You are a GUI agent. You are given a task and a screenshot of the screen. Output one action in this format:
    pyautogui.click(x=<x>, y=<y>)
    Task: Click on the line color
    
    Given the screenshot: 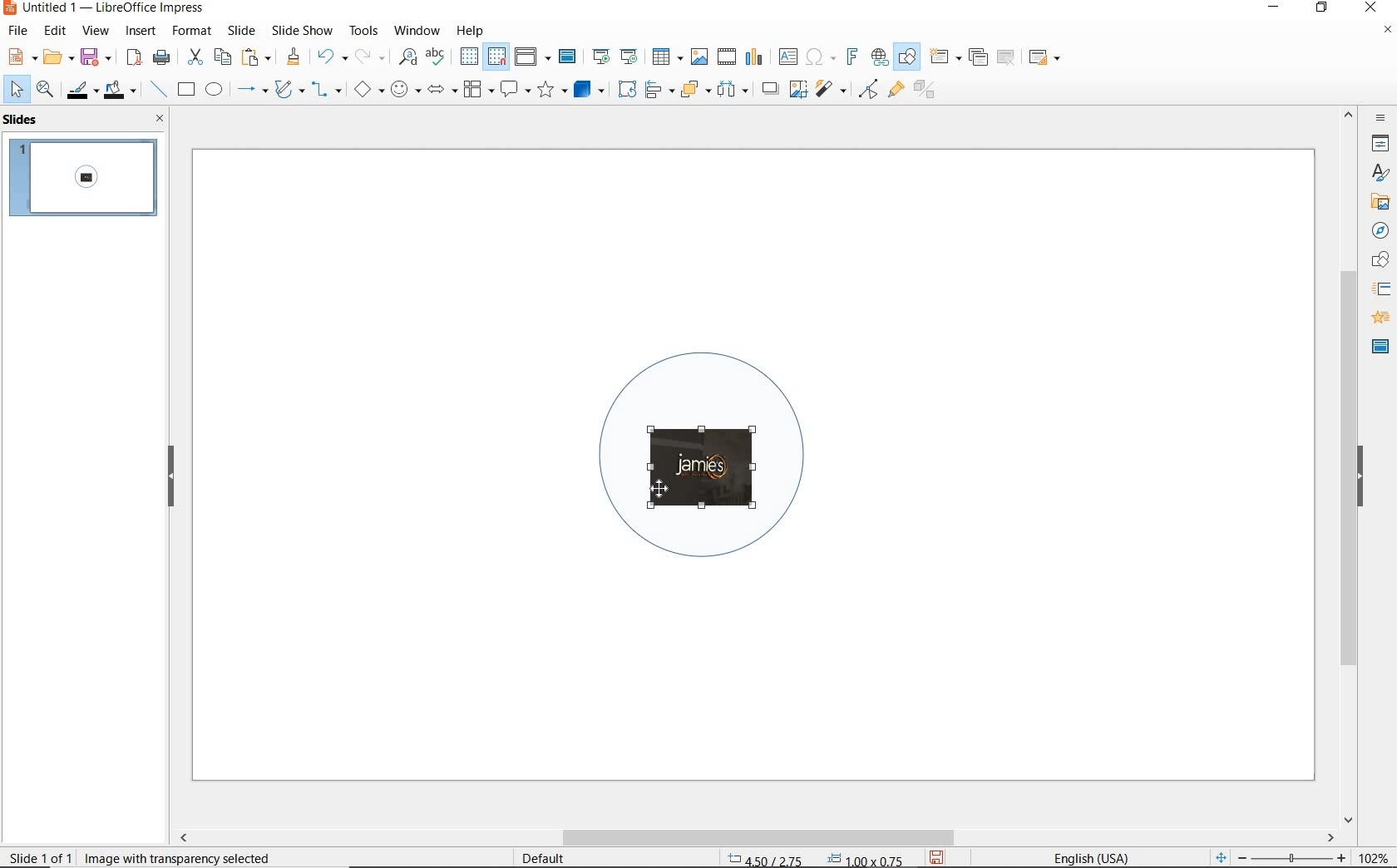 What is the action you would take?
    pyautogui.click(x=81, y=90)
    